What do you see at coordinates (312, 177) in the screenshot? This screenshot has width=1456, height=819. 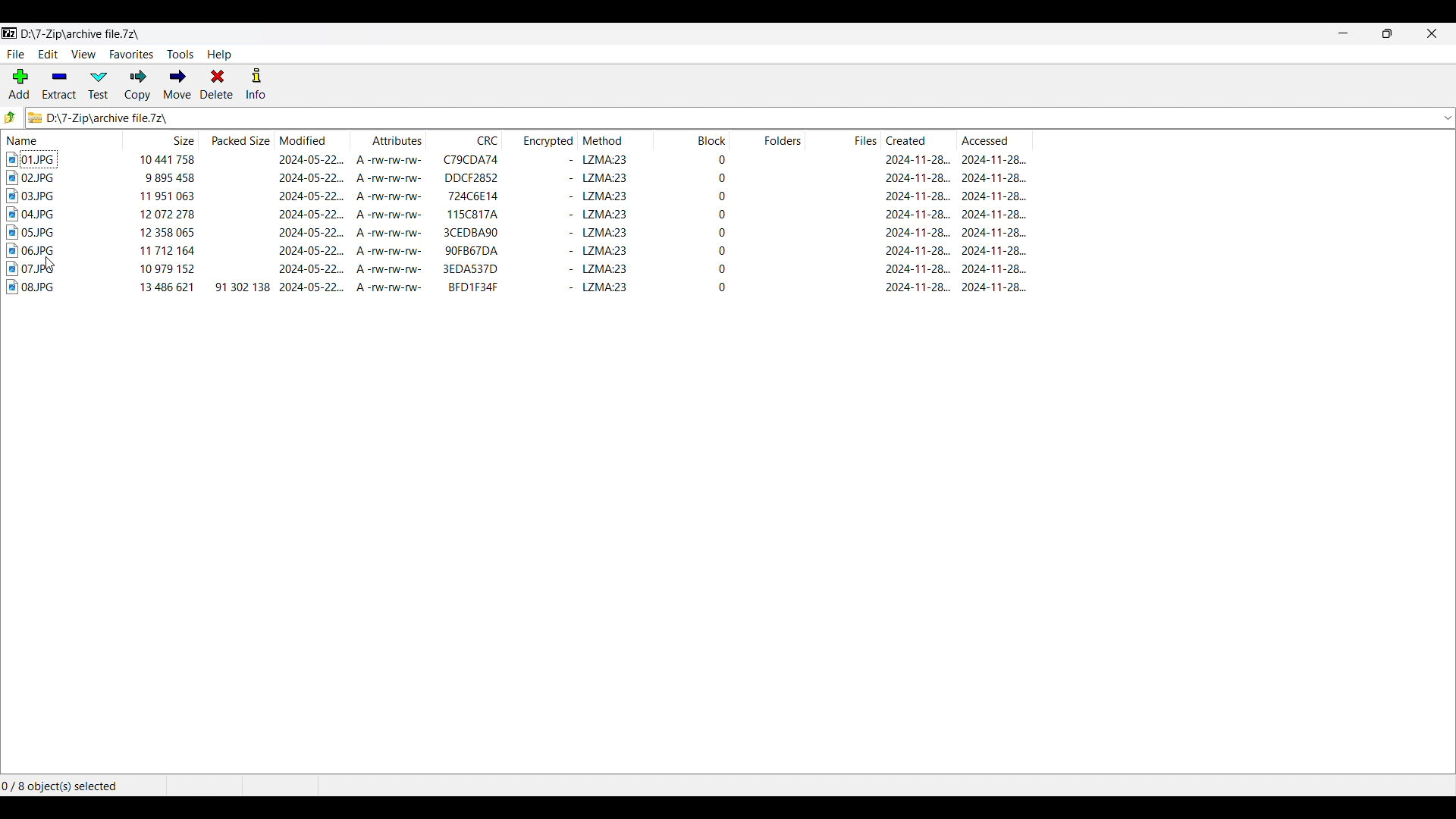 I see `modified date & time` at bounding box center [312, 177].